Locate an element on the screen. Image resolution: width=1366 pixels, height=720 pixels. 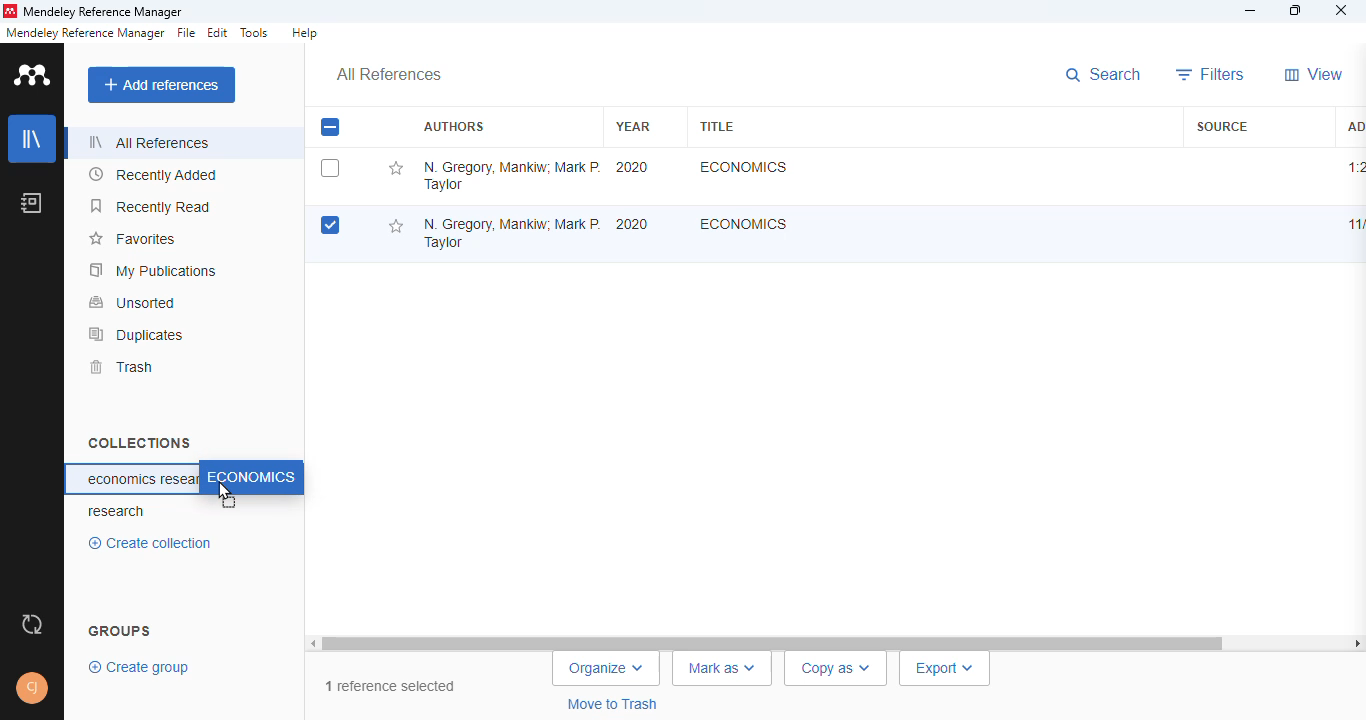
create collection is located at coordinates (155, 543).